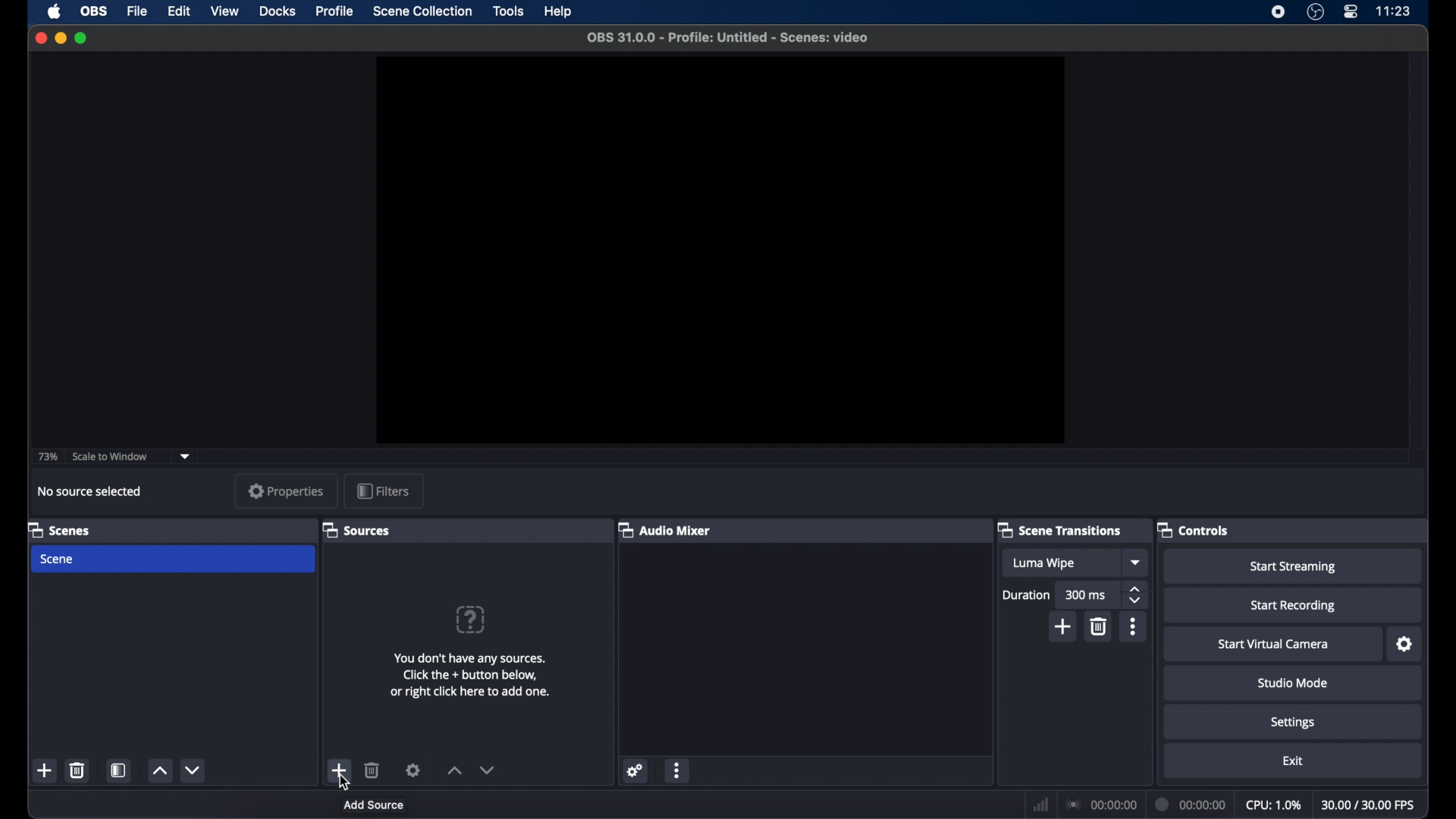 This screenshot has width=1456, height=819. What do you see at coordinates (336, 11) in the screenshot?
I see `profile` at bounding box center [336, 11].